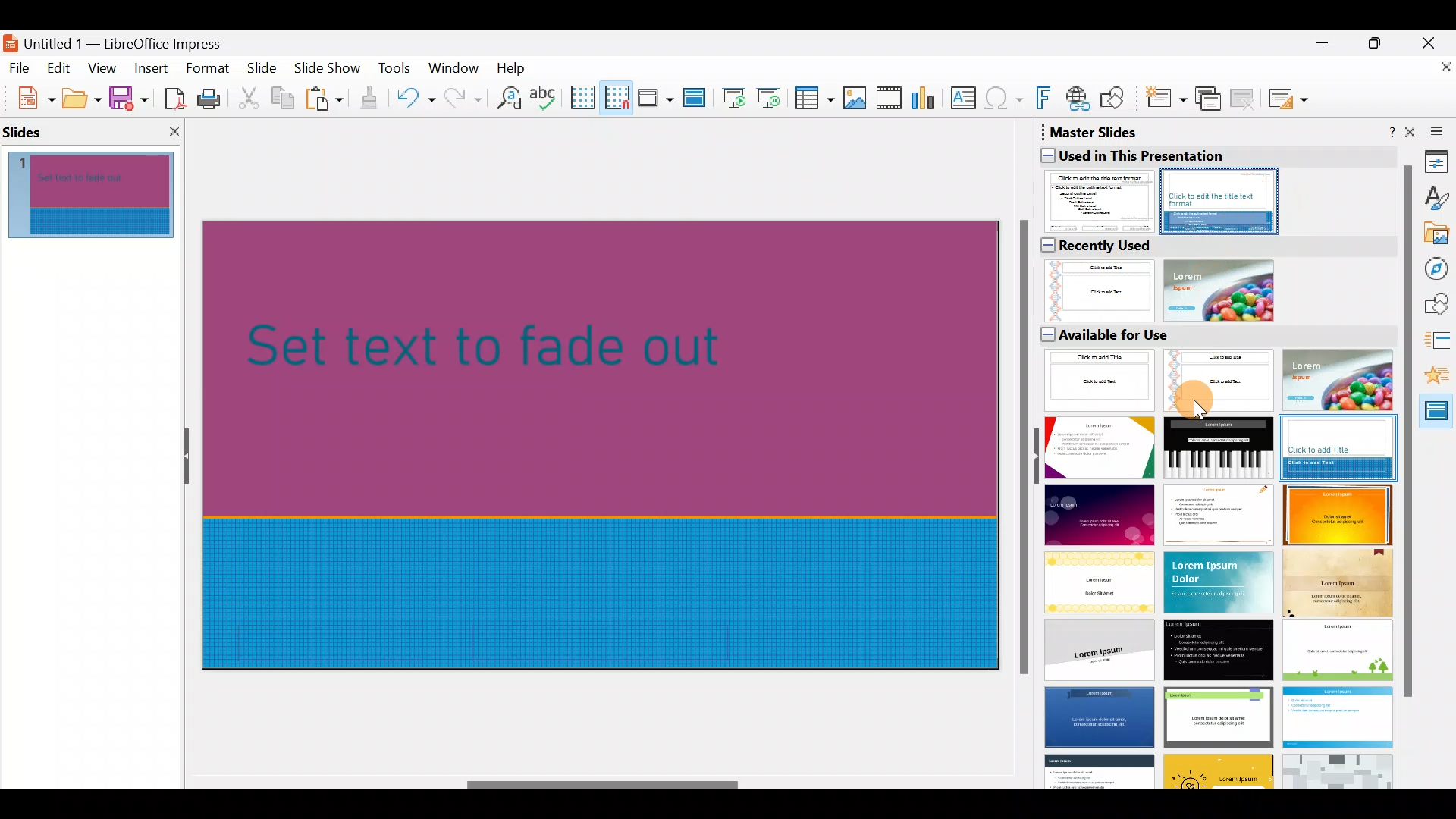 This screenshot has width=1456, height=819. I want to click on Spelling, so click(545, 97).